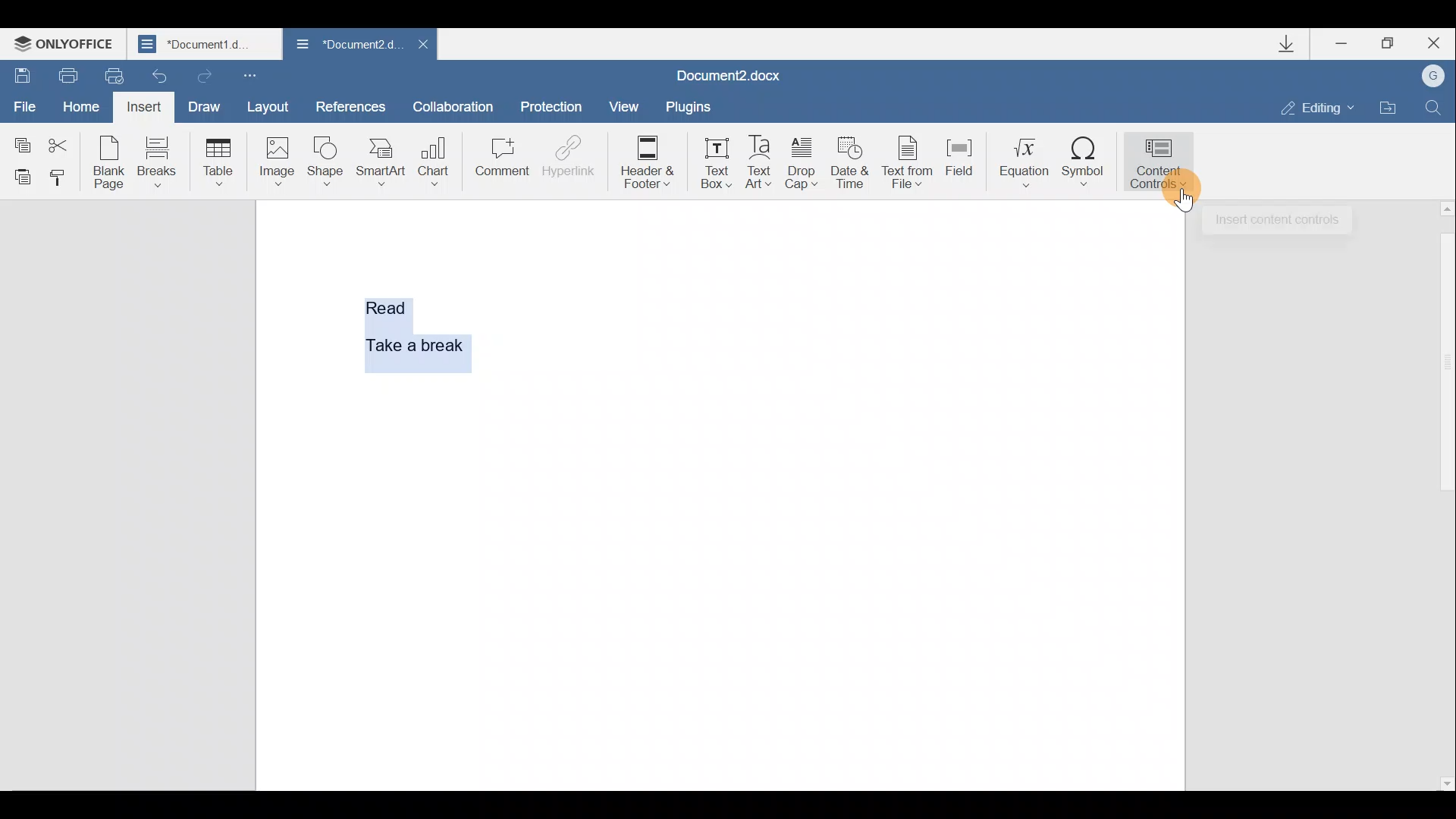 The width and height of the screenshot is (1456, 819). Describe the element at coordinates (569, 155) in the screenshot. I see `Hyperlink` at that location.